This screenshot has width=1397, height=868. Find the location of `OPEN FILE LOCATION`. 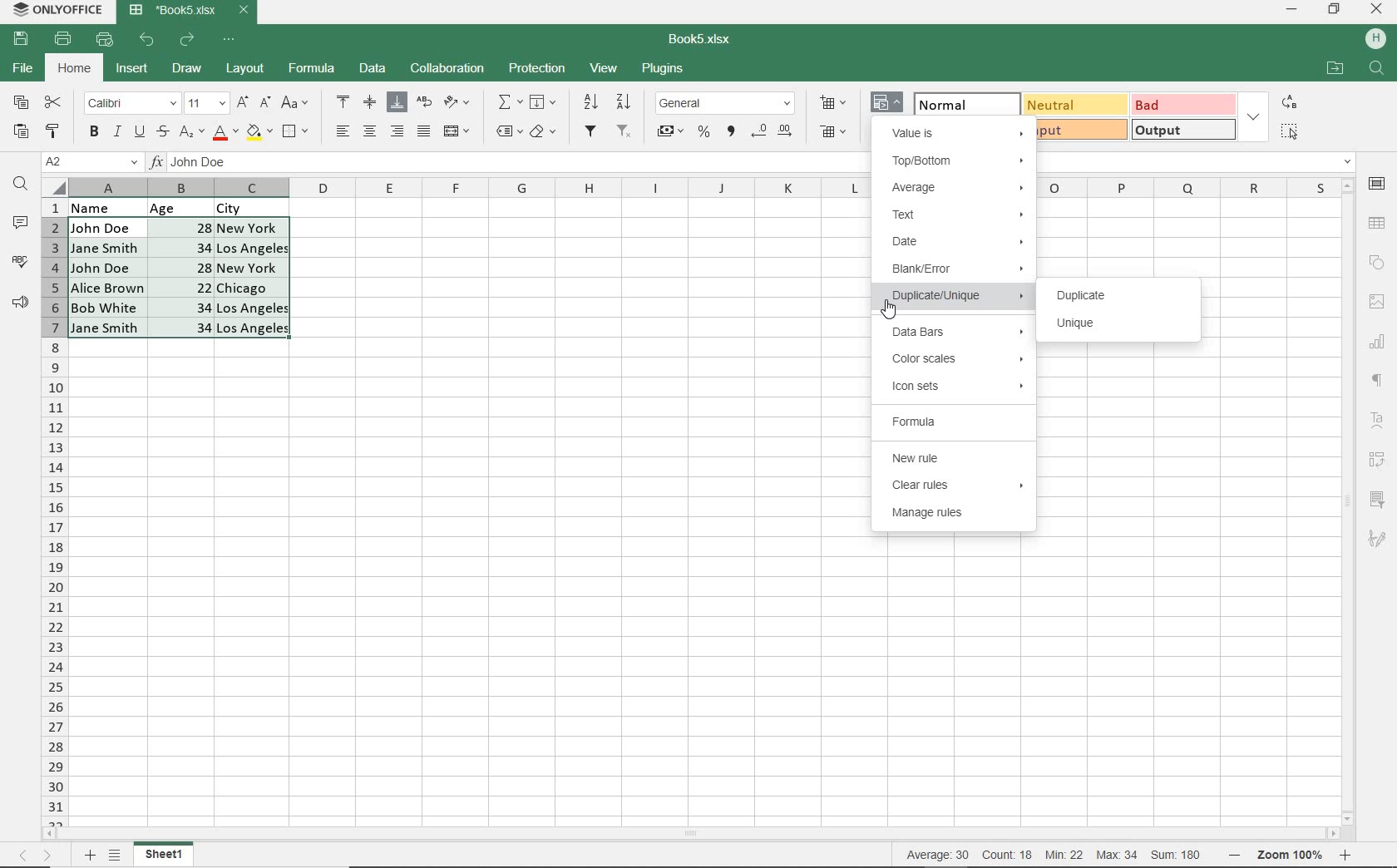

OPEN FILE LOCATION is located at coordinates (1335, 70).